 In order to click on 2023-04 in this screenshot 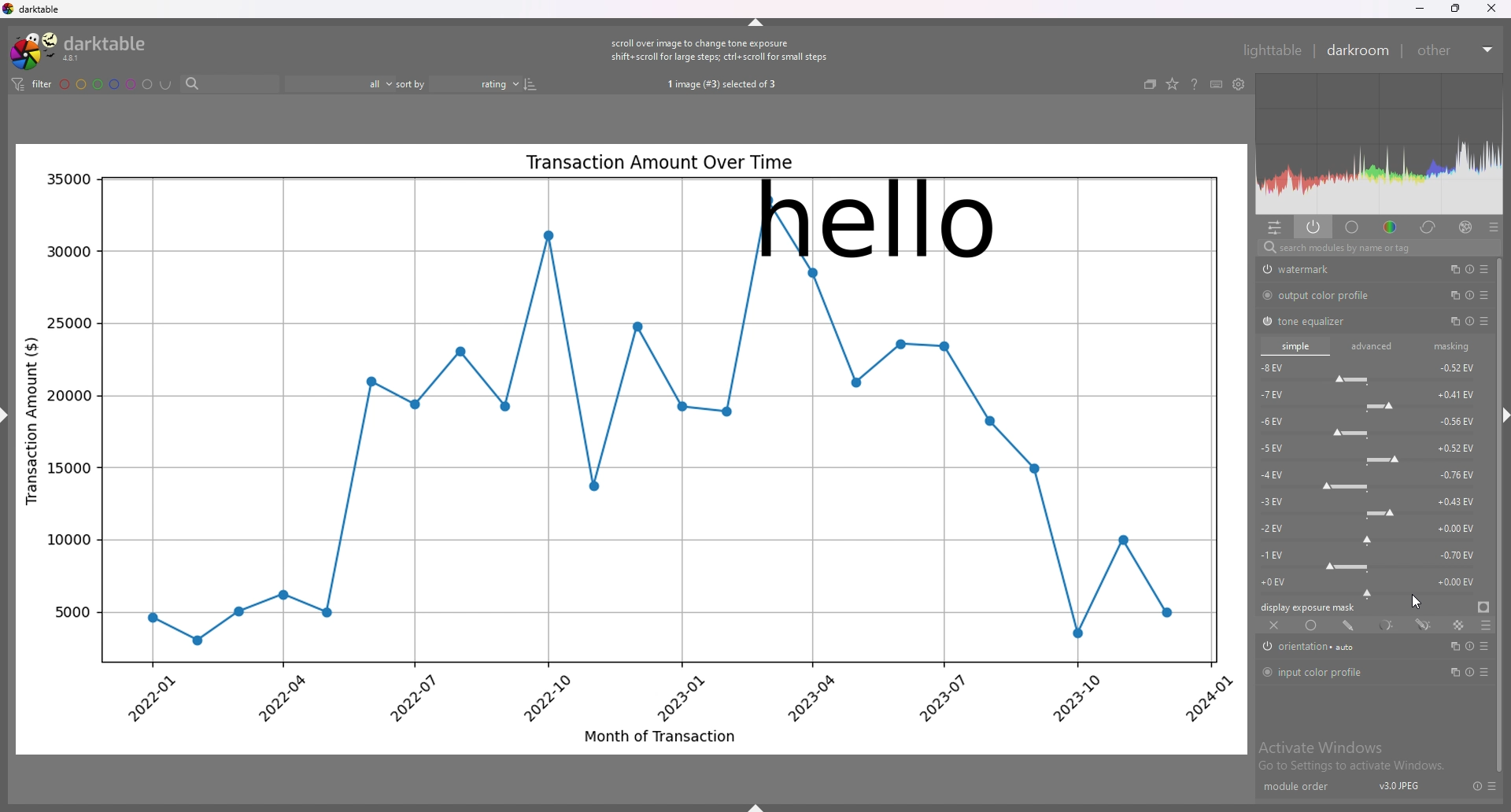, I will do `click(811, 697)`.